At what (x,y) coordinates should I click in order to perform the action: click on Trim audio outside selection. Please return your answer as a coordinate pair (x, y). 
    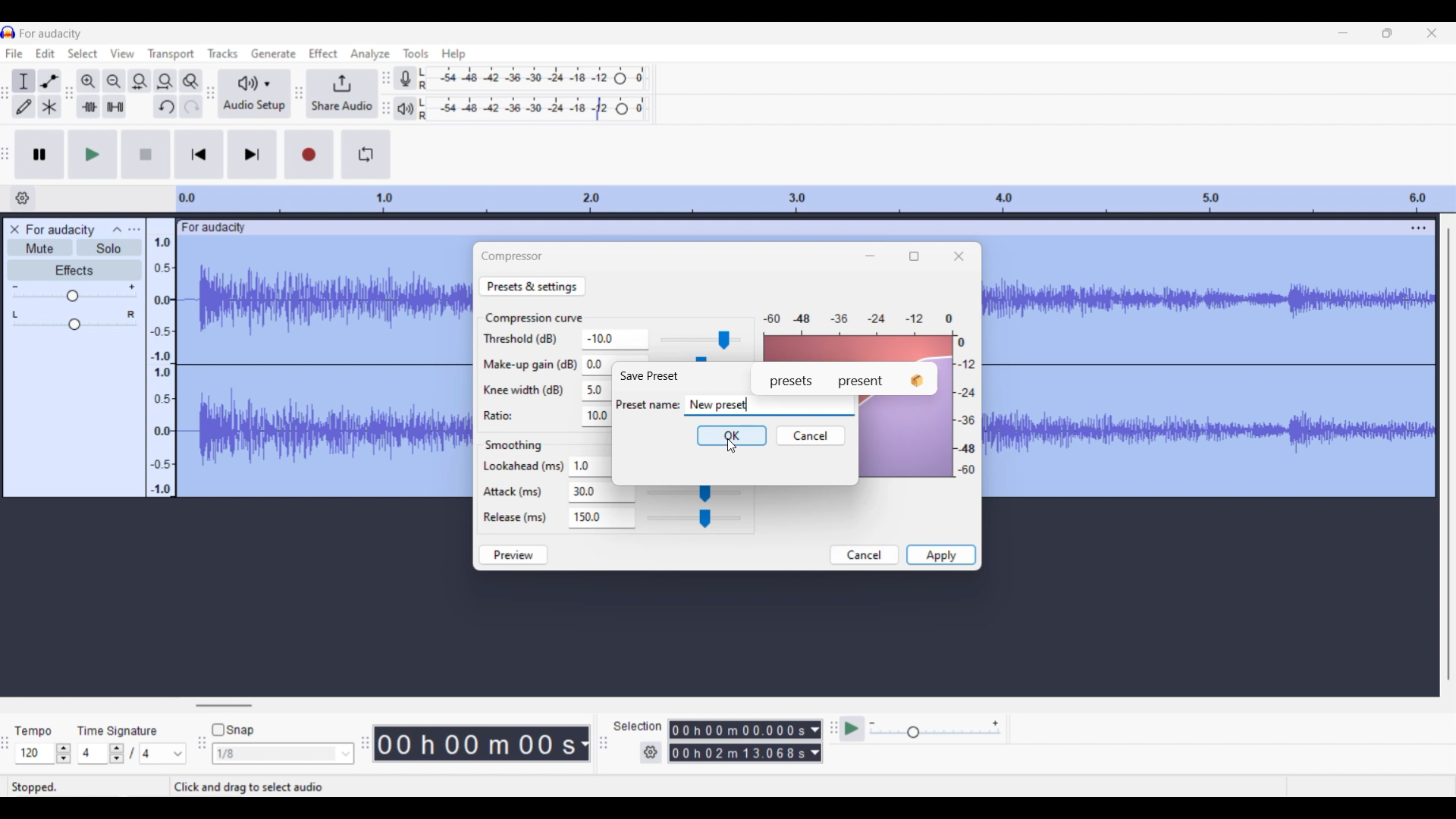
    Looking at the image, I should click on (89, 107).